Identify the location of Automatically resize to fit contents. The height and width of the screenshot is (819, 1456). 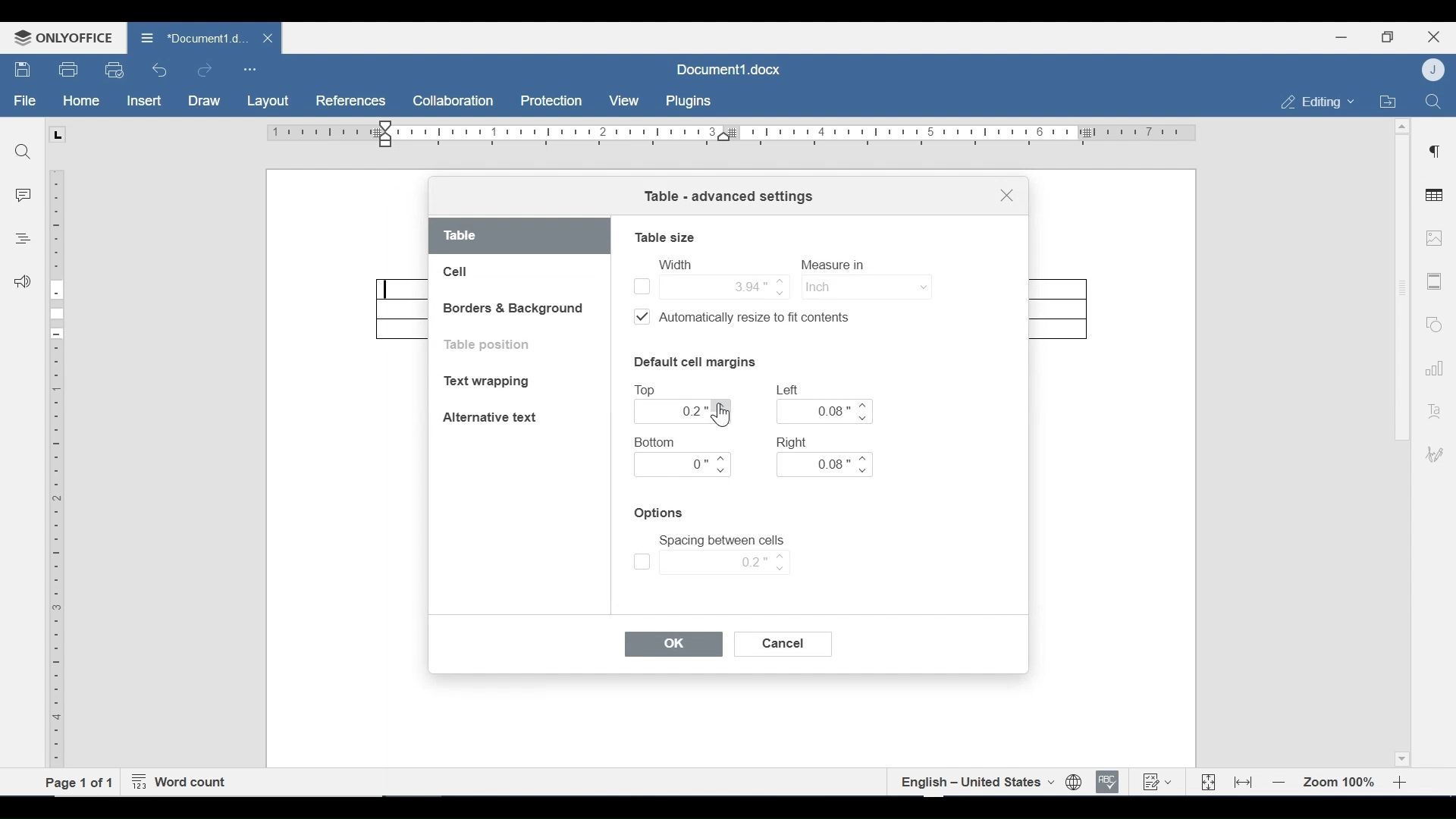
(751, 319).